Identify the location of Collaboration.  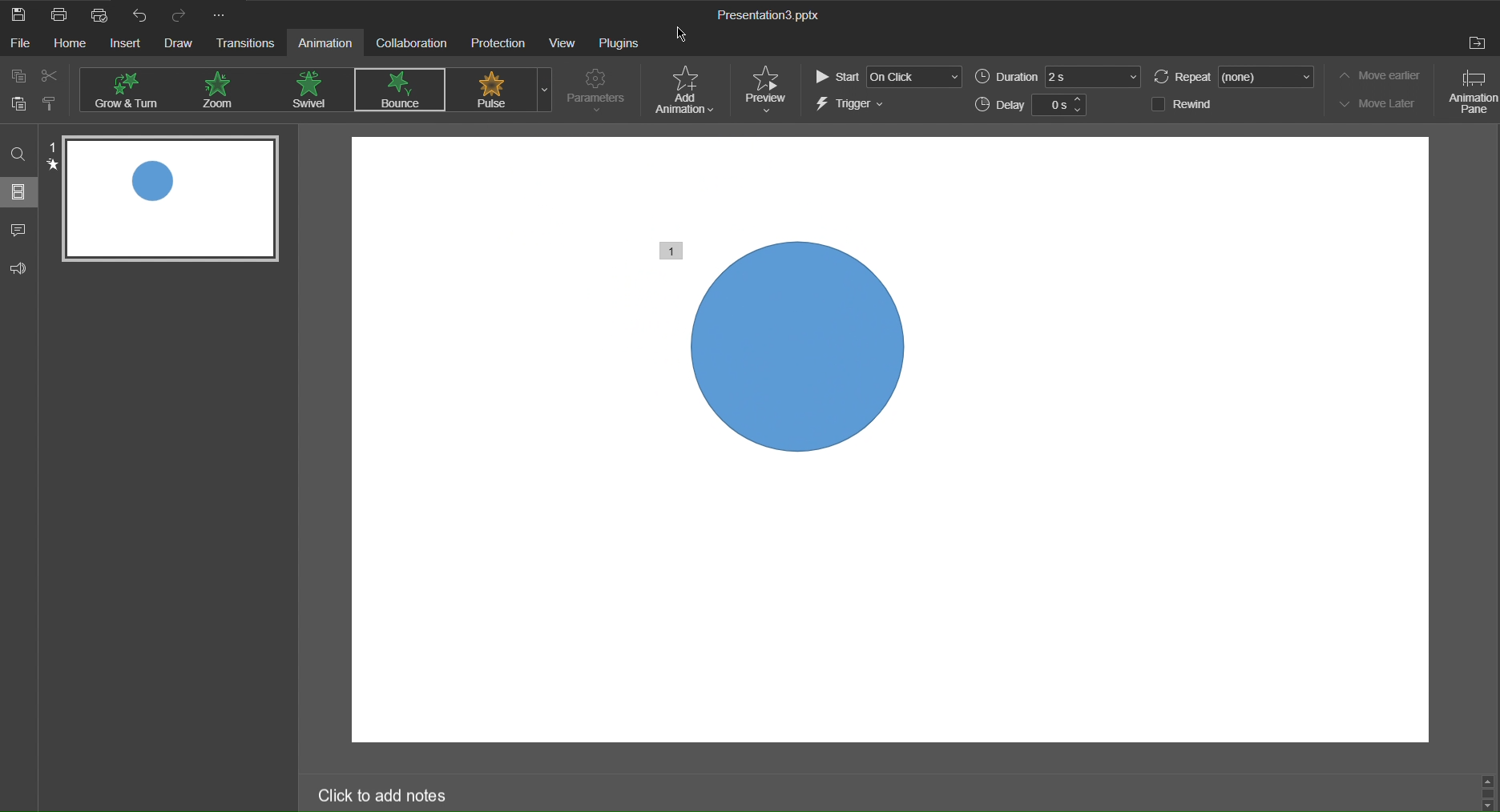
(412, 44).